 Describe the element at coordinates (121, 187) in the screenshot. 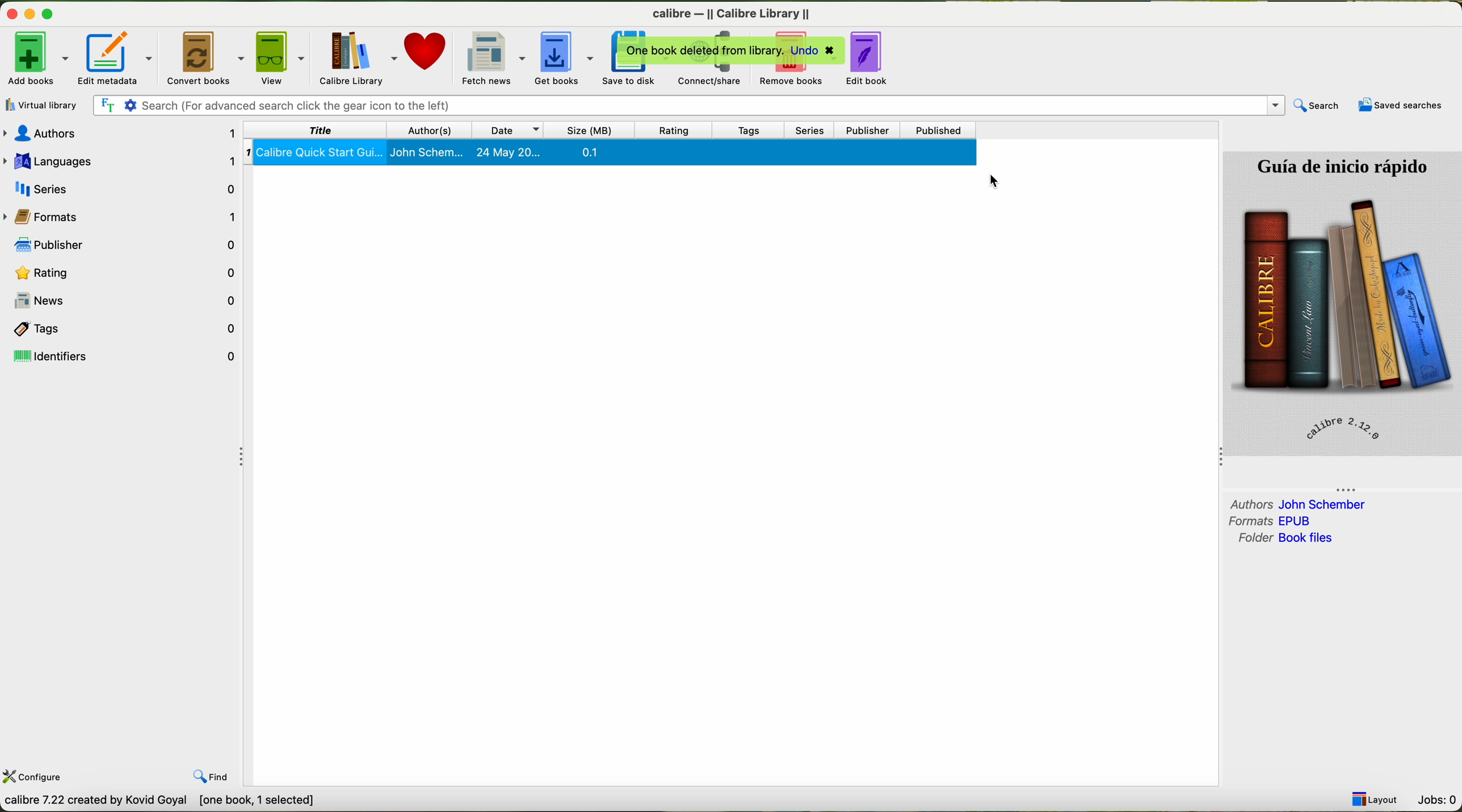

I see `series` at that location.